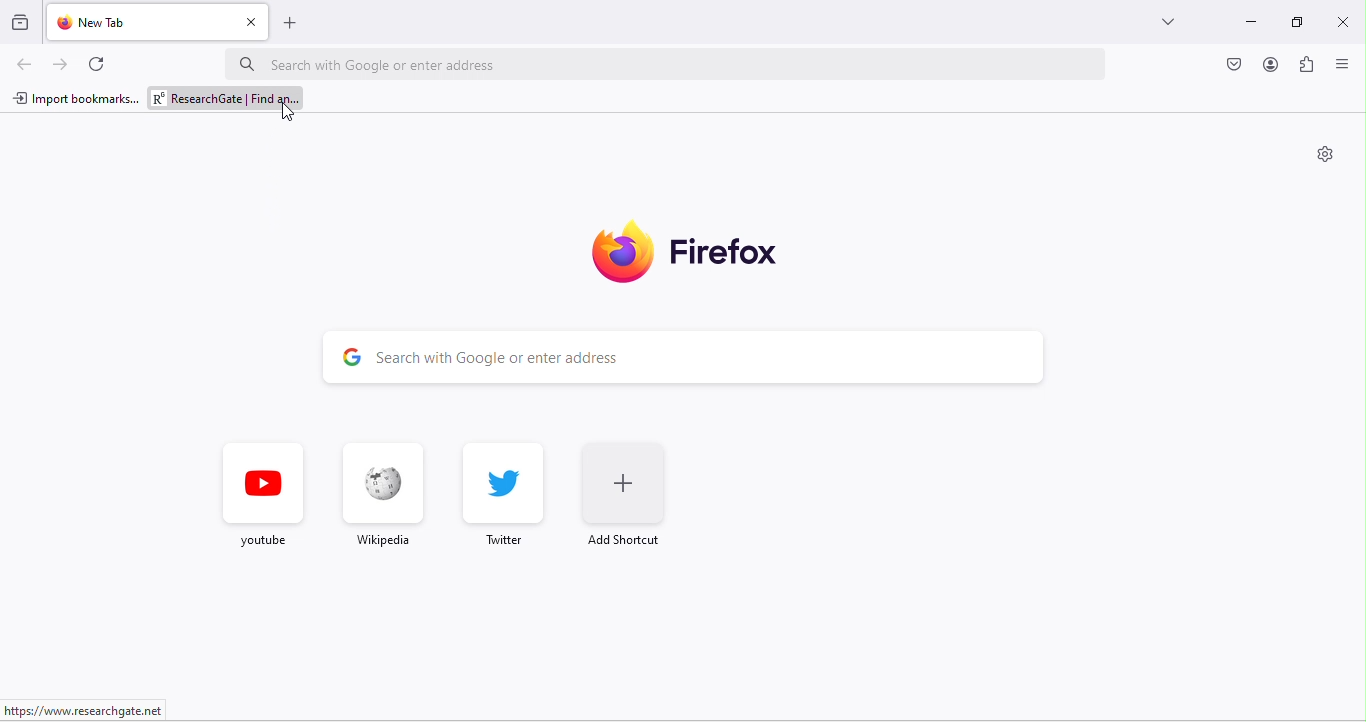  What do you see at coordinates (1291, 23) in the screenshot?
I see `maximize` at bounding box center [1291, 23].